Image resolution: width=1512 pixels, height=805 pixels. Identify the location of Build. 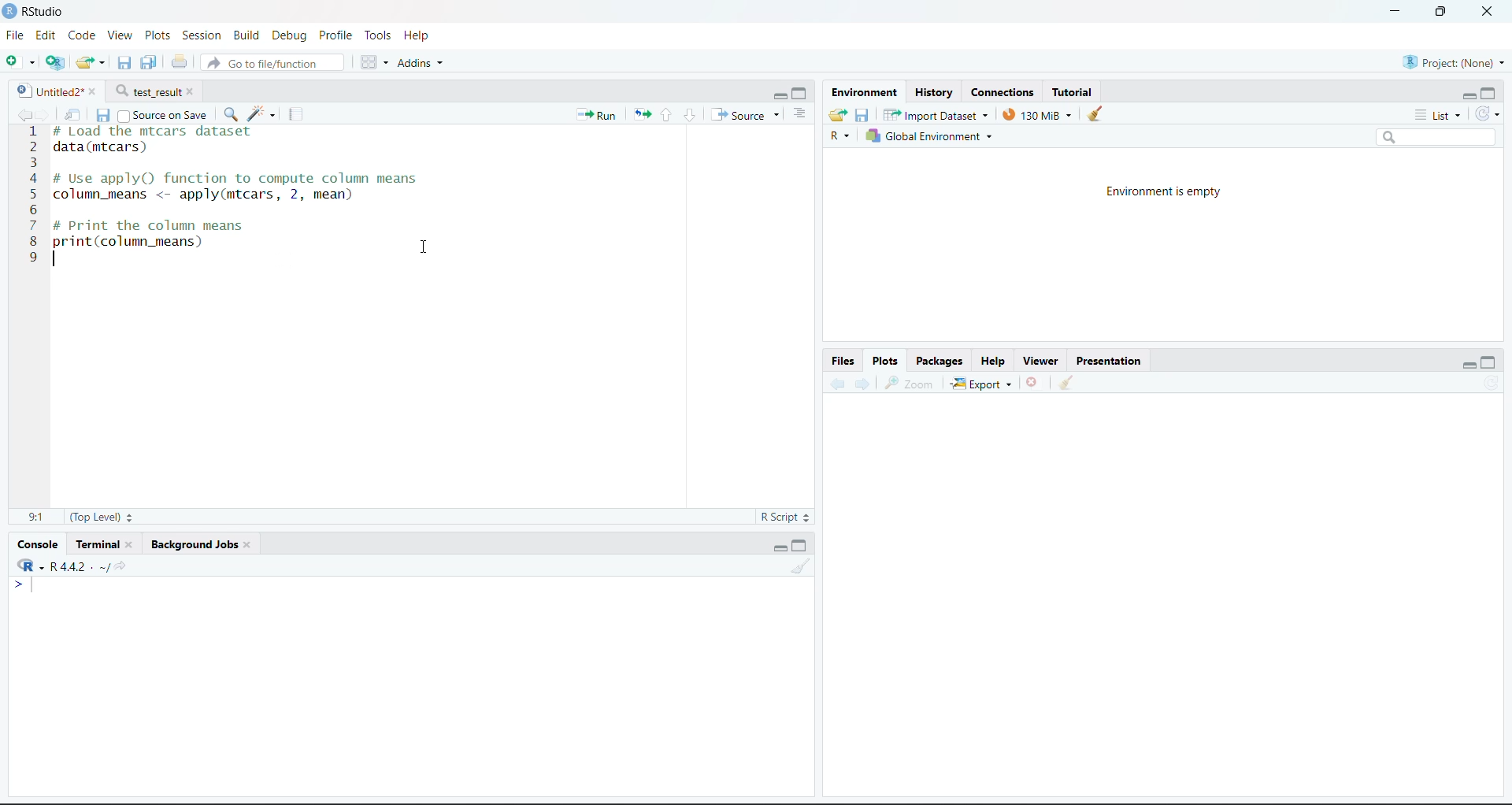
(246, 34).